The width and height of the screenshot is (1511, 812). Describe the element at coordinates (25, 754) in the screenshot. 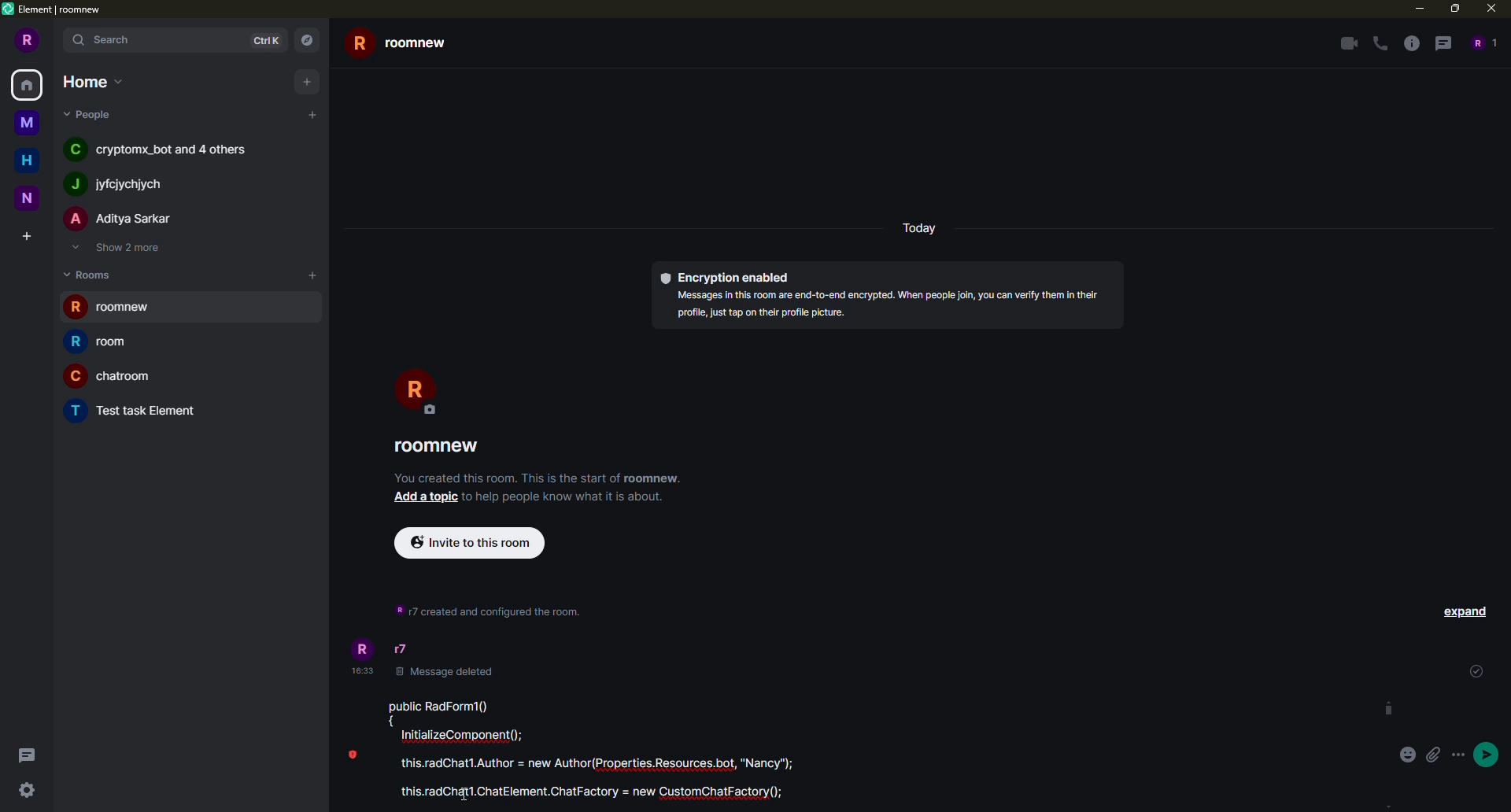

I see `threads` at that location.